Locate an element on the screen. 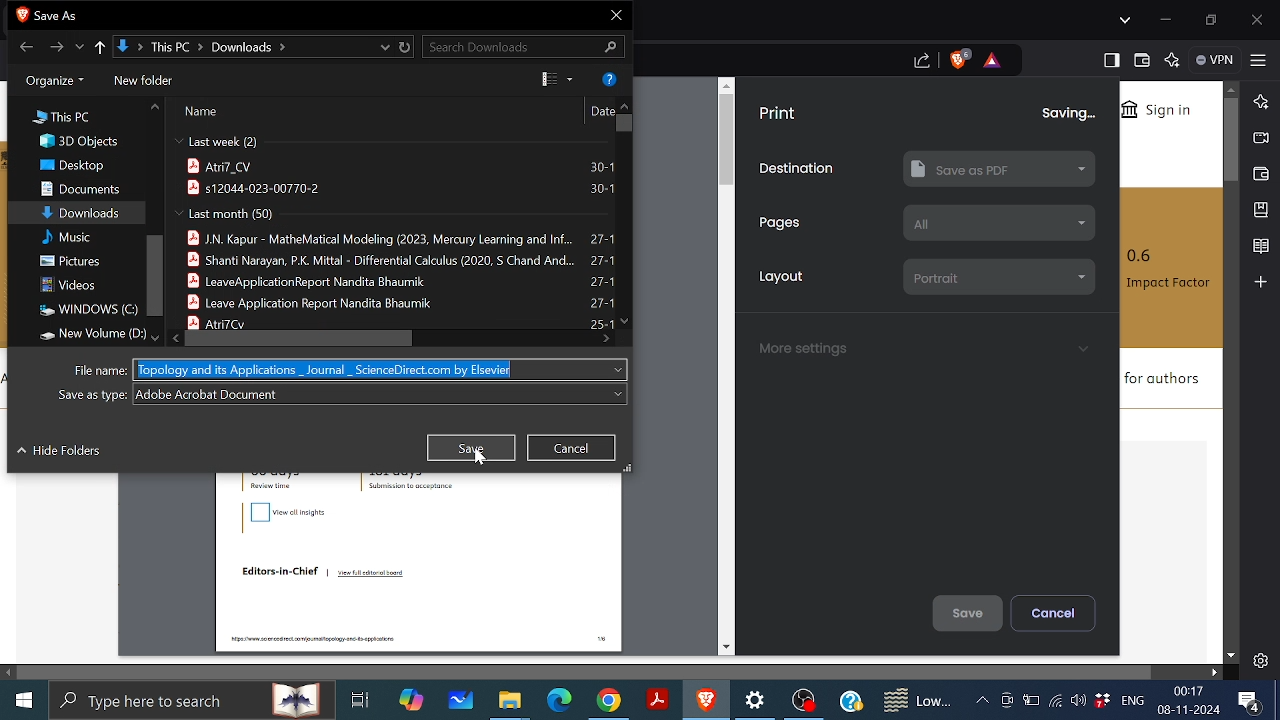  Save as PDF is located at coordinates (995, 170).